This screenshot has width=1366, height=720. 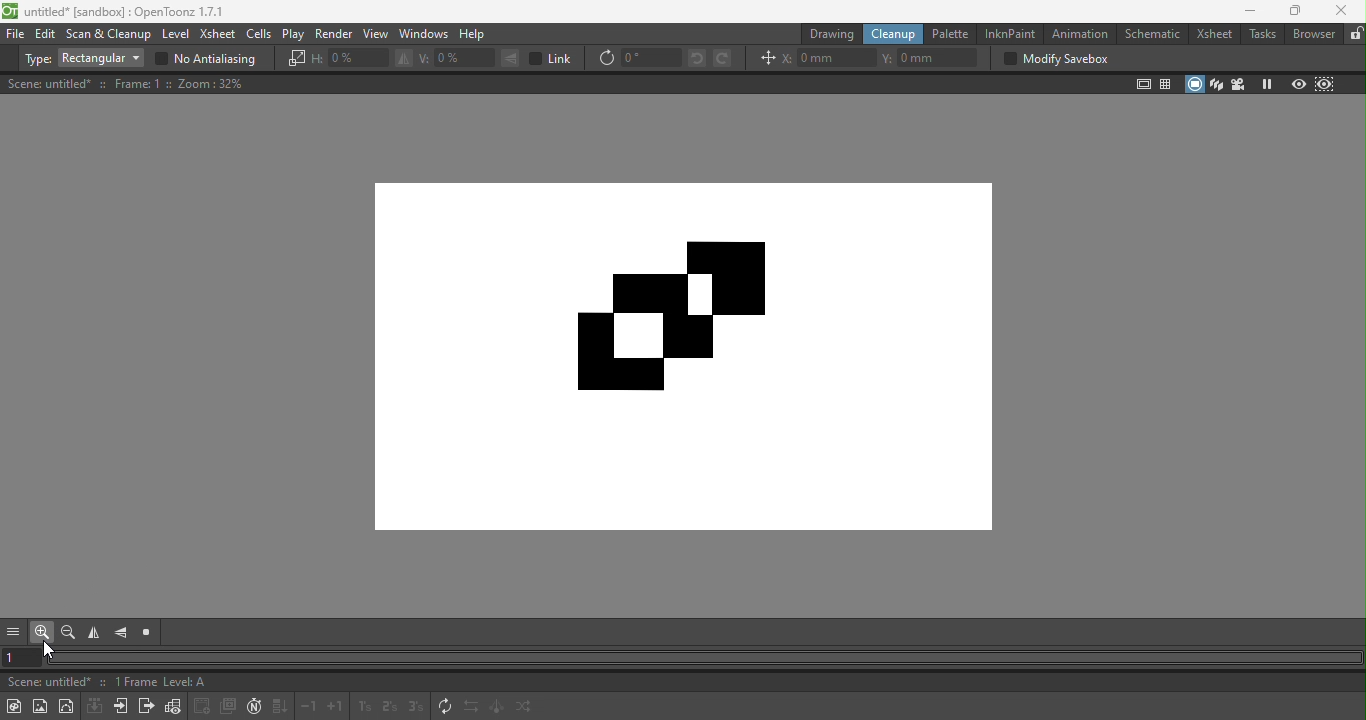 What do you see at coordinates (1010, 33) in the screenshot?
I see `InknPaint` at bounding box center [1010, 33].